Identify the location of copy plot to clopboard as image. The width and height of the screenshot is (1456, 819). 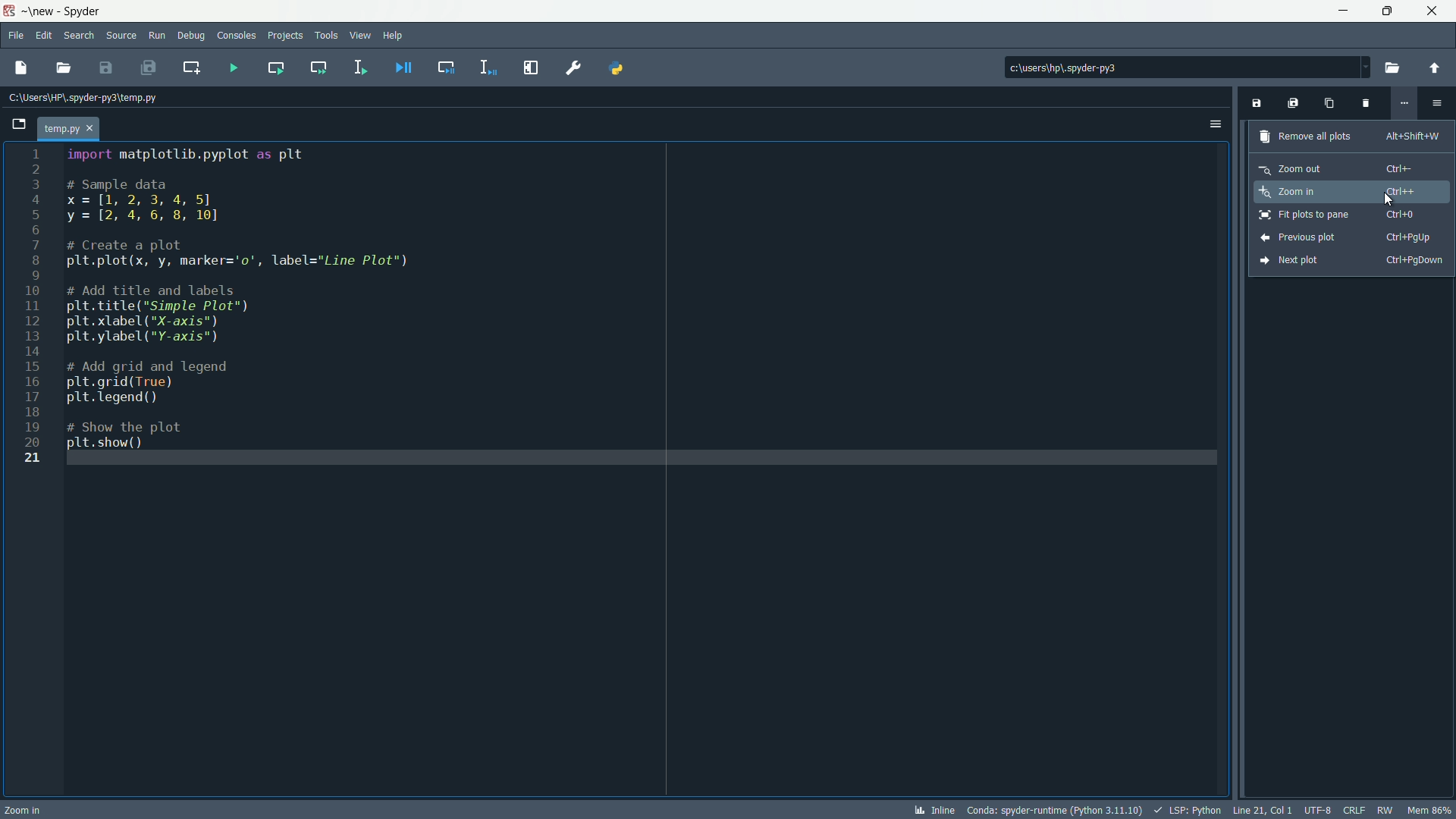
(1328, 105).